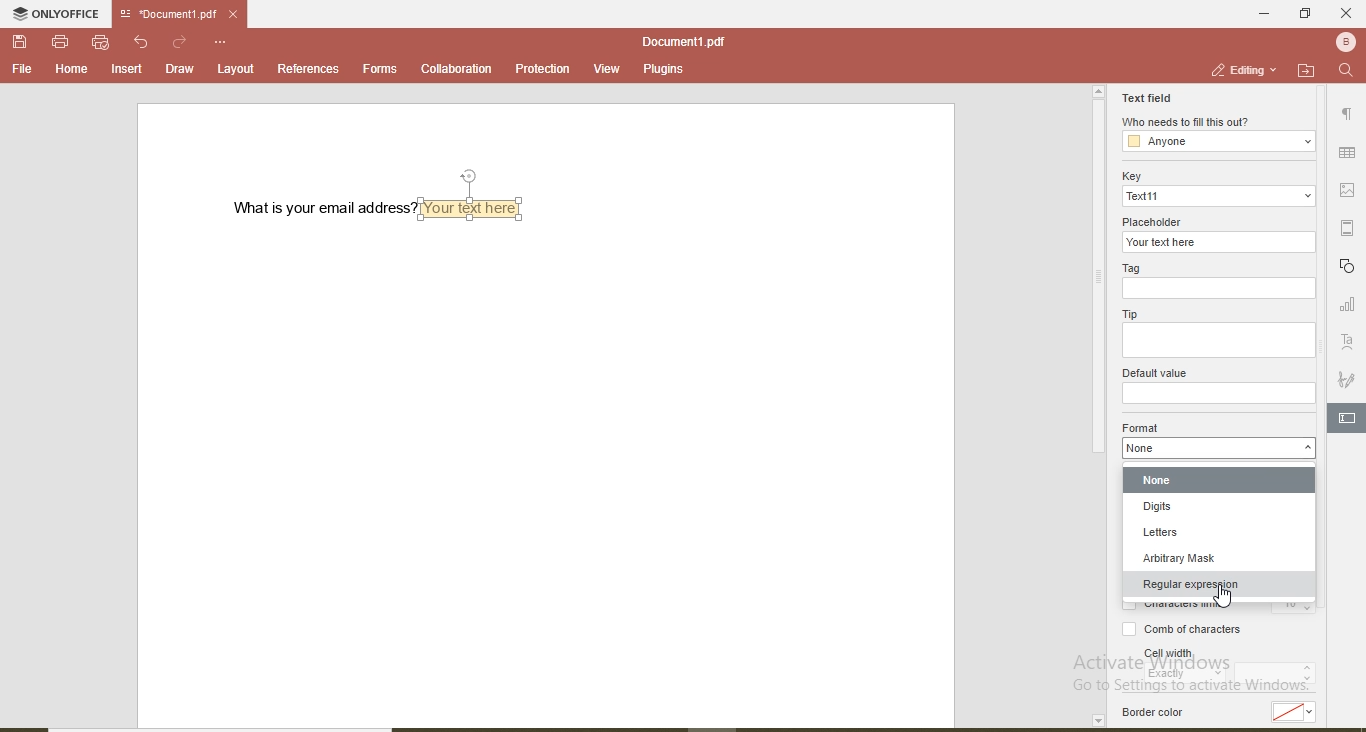 The image size is (1366, 732). Describe the element at coordinates (1347, 306) in the screenshot. I see `graph` at that location.